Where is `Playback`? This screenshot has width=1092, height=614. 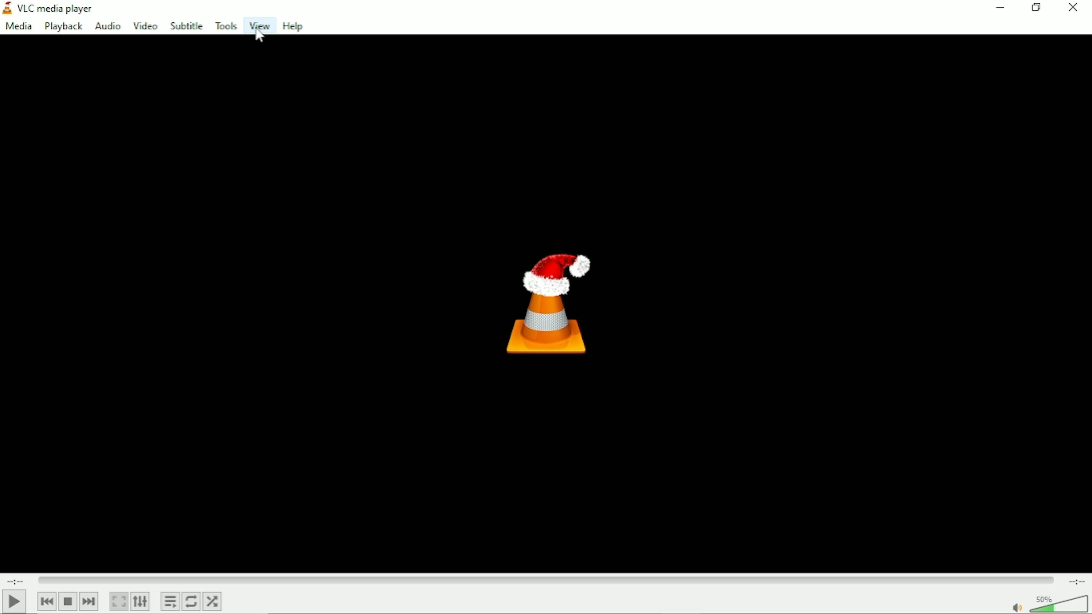 Playback is located at coordinates (63, 27).